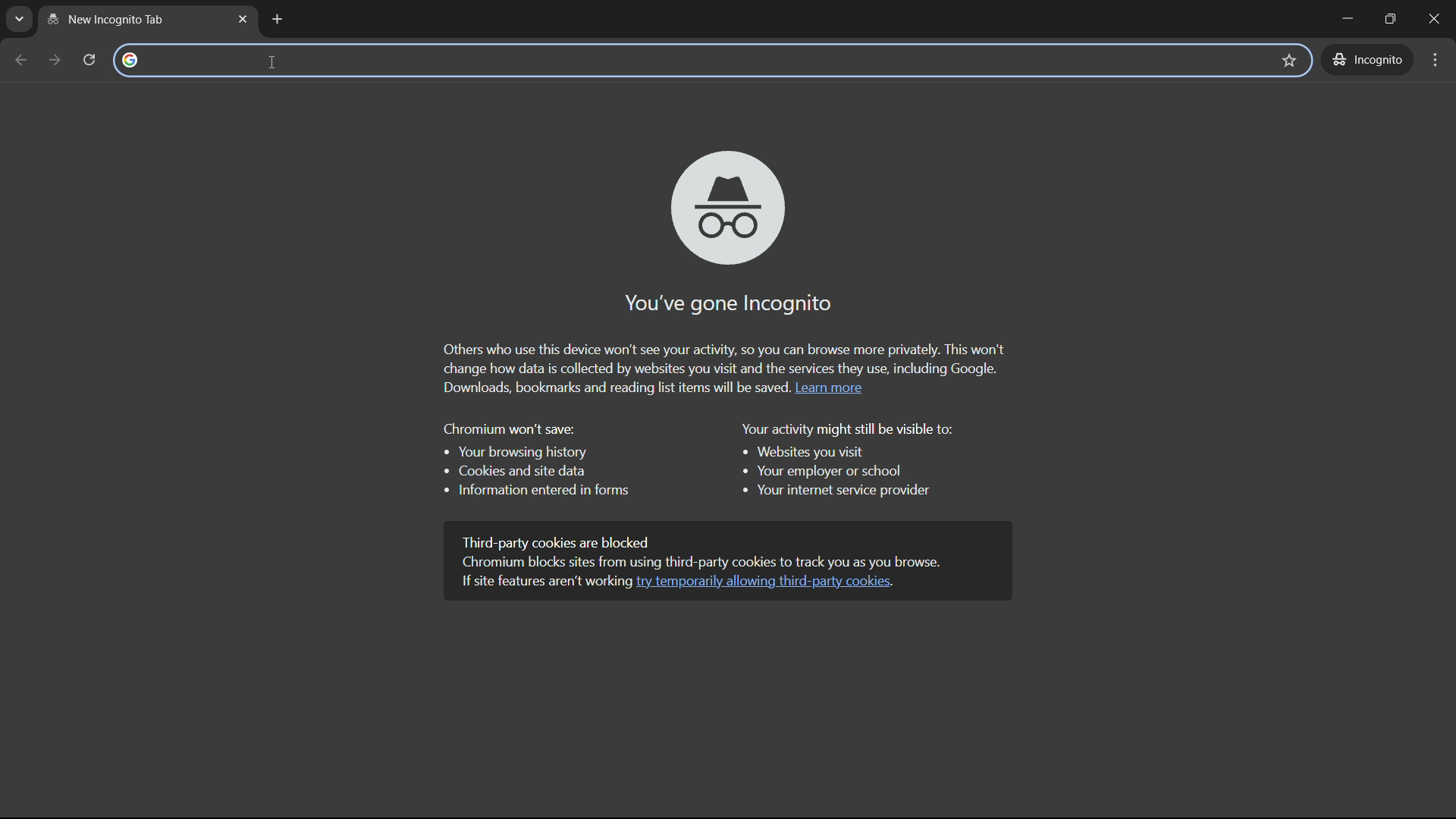 The width and height of the screenshot is (1456, 819). Describe the element at coordinates (1435, 61) in the screenshot. I see `more options` at that location.